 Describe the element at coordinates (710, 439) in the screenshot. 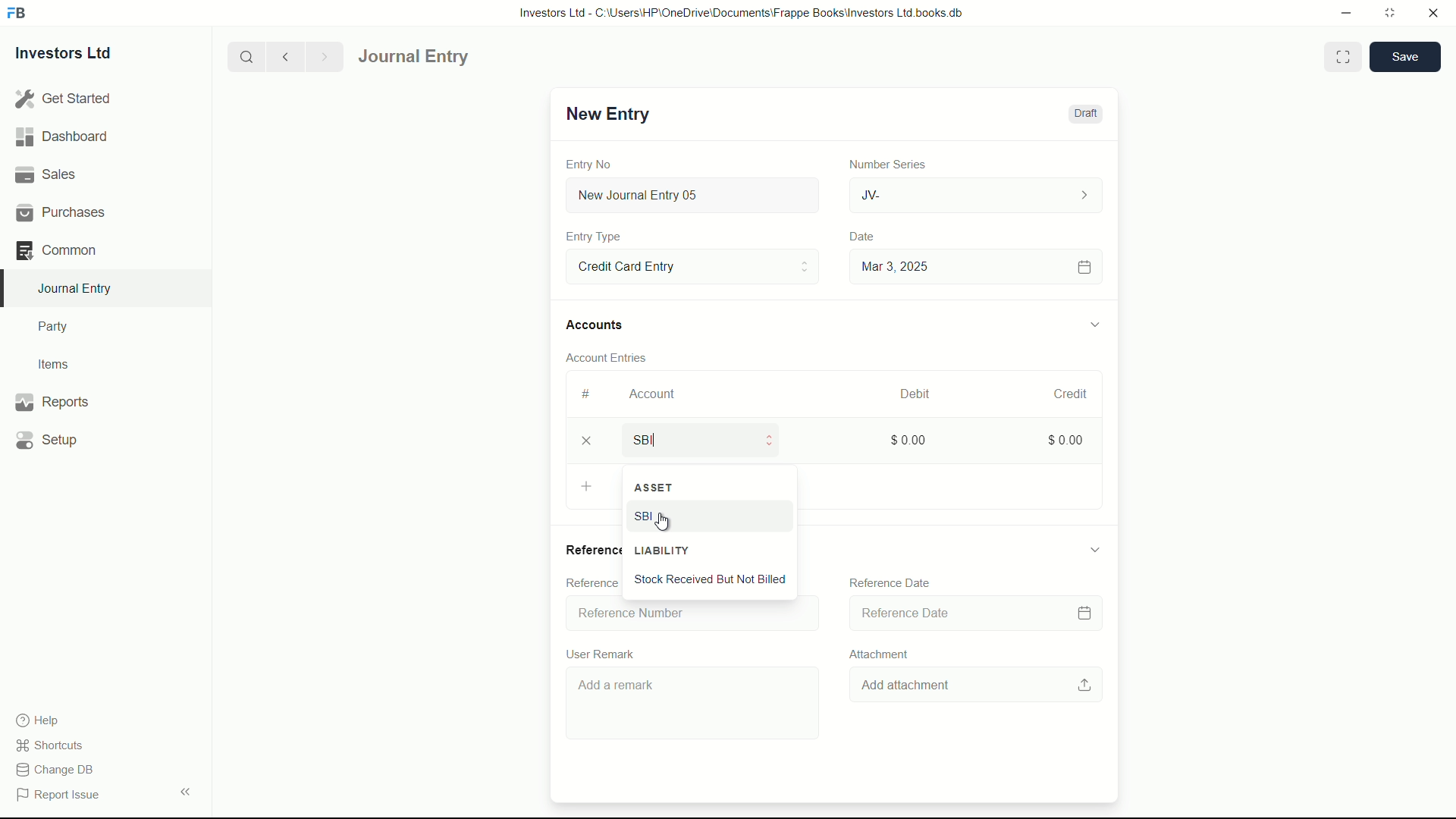

I see `SBI` at that location.